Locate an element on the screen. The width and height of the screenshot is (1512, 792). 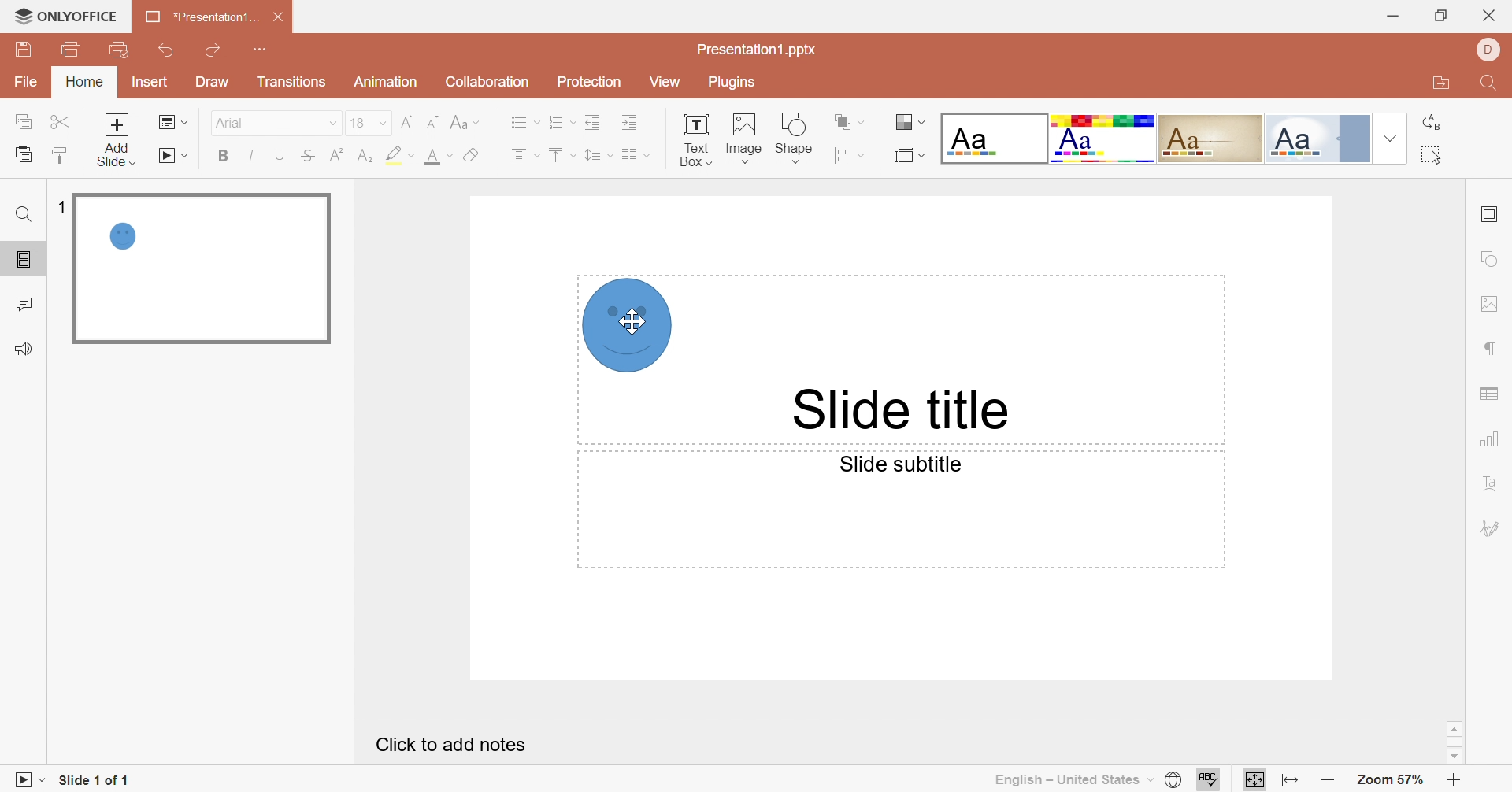
Change case is located at coordinates (464, 121).